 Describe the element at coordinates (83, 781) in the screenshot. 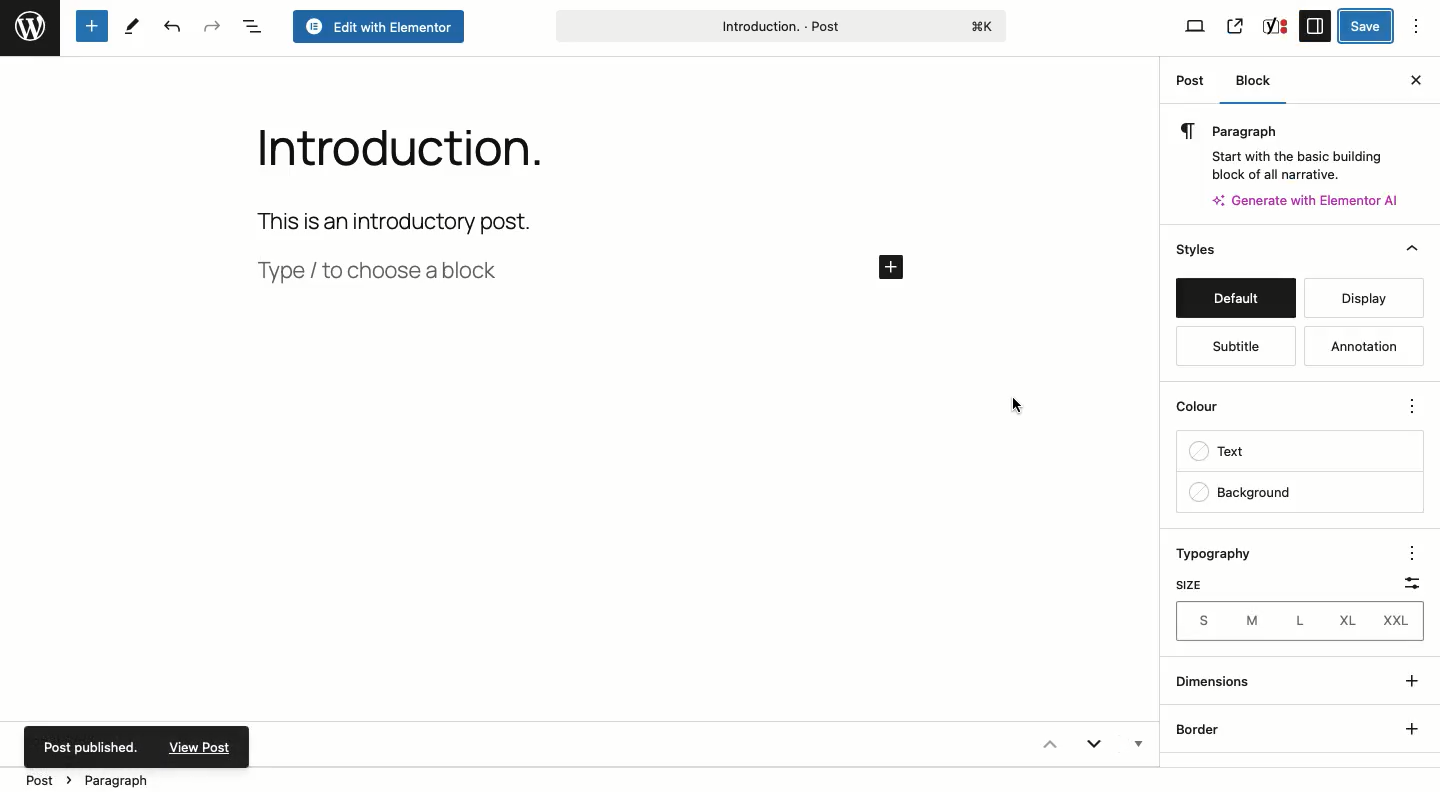

I see `Post > Paragraph` at that location.